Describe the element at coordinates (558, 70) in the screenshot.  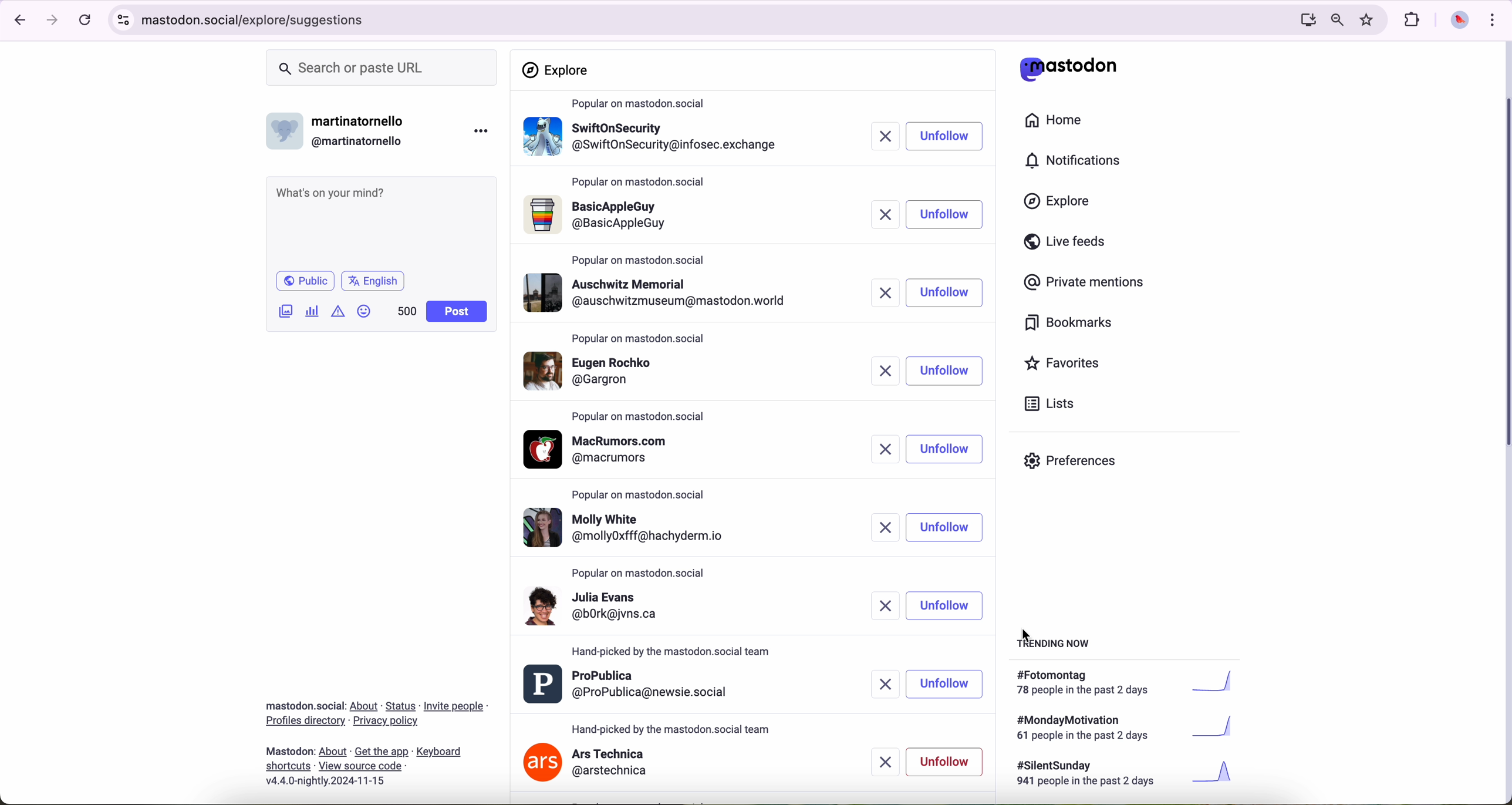
I see `explore section` at that location.